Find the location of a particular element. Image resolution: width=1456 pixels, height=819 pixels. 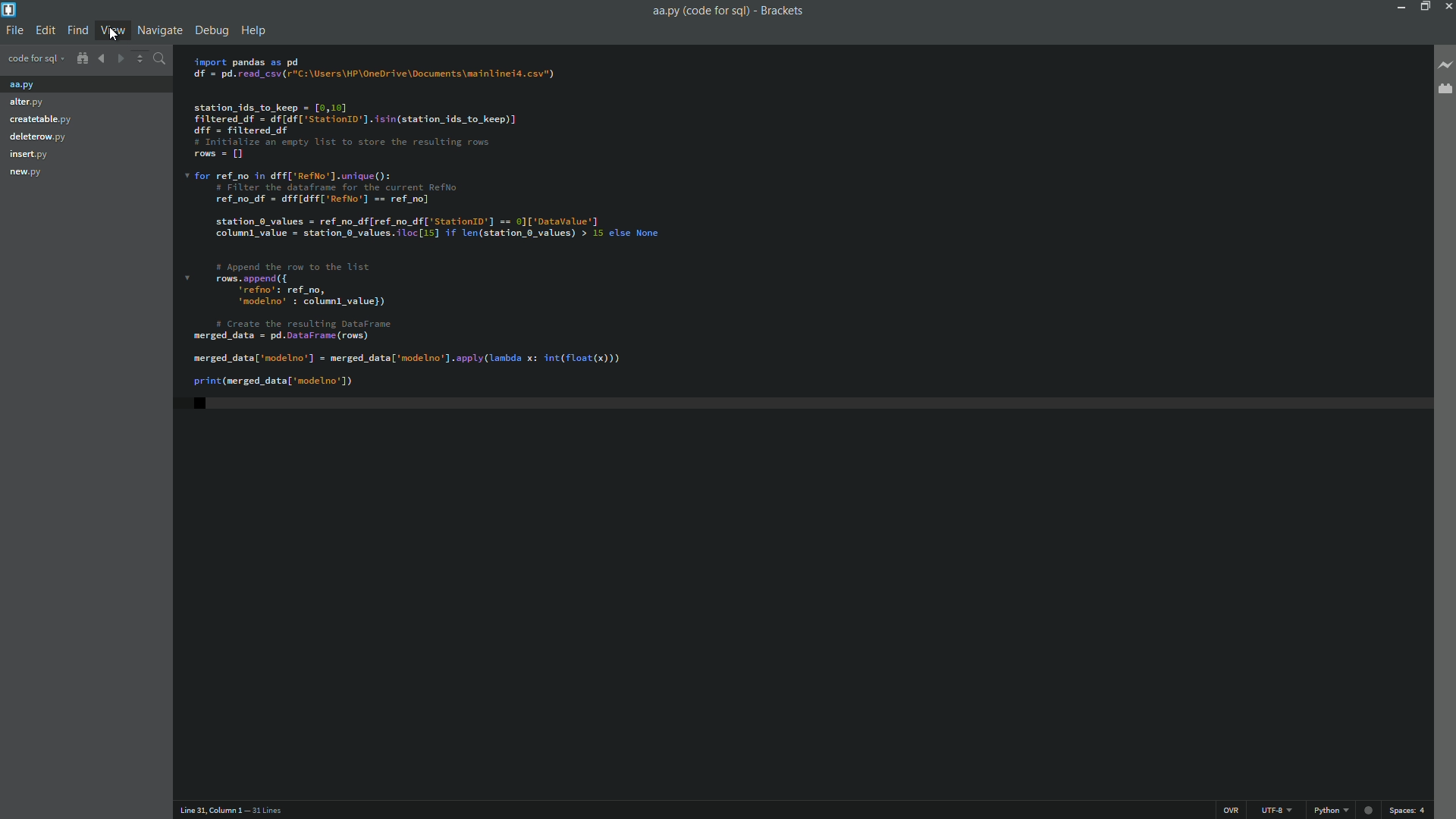

app icon is located at coordinates (10, 11).